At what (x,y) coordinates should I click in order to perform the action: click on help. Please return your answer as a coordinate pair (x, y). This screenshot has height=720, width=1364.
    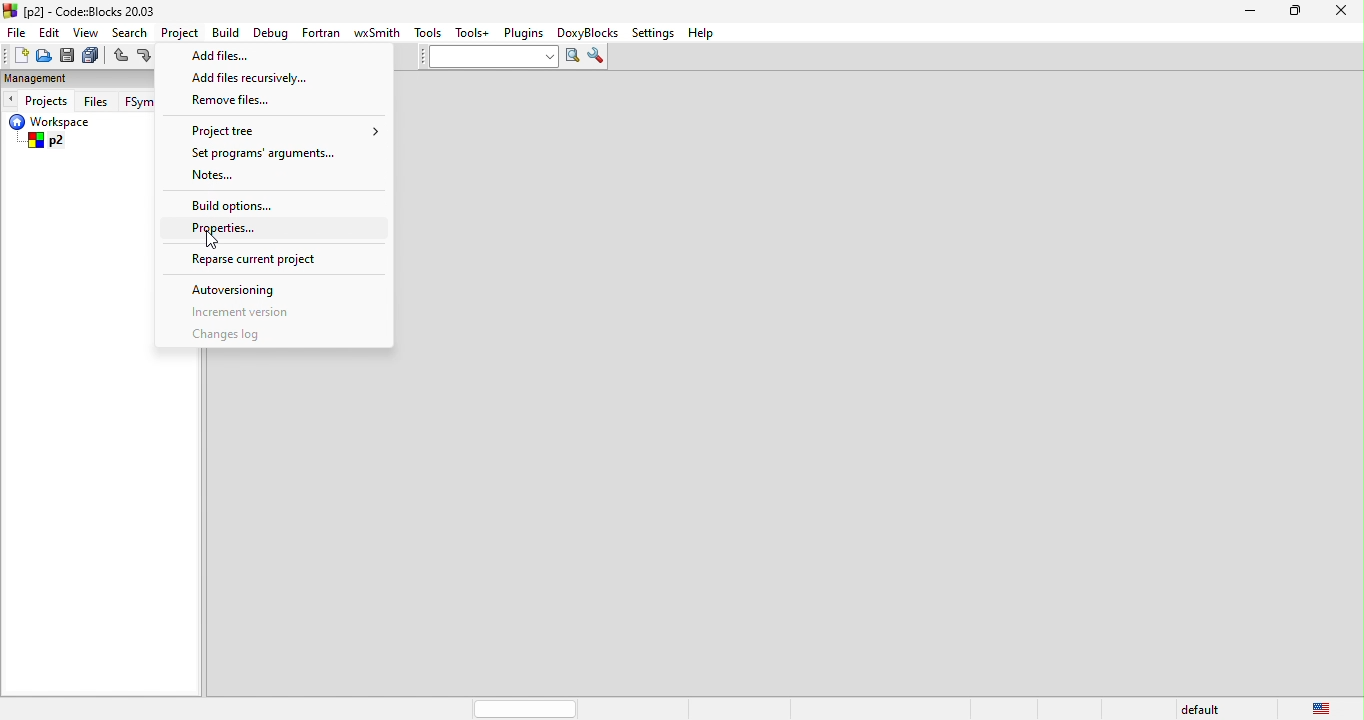
    Looking at the image, I should click on (701, 35).